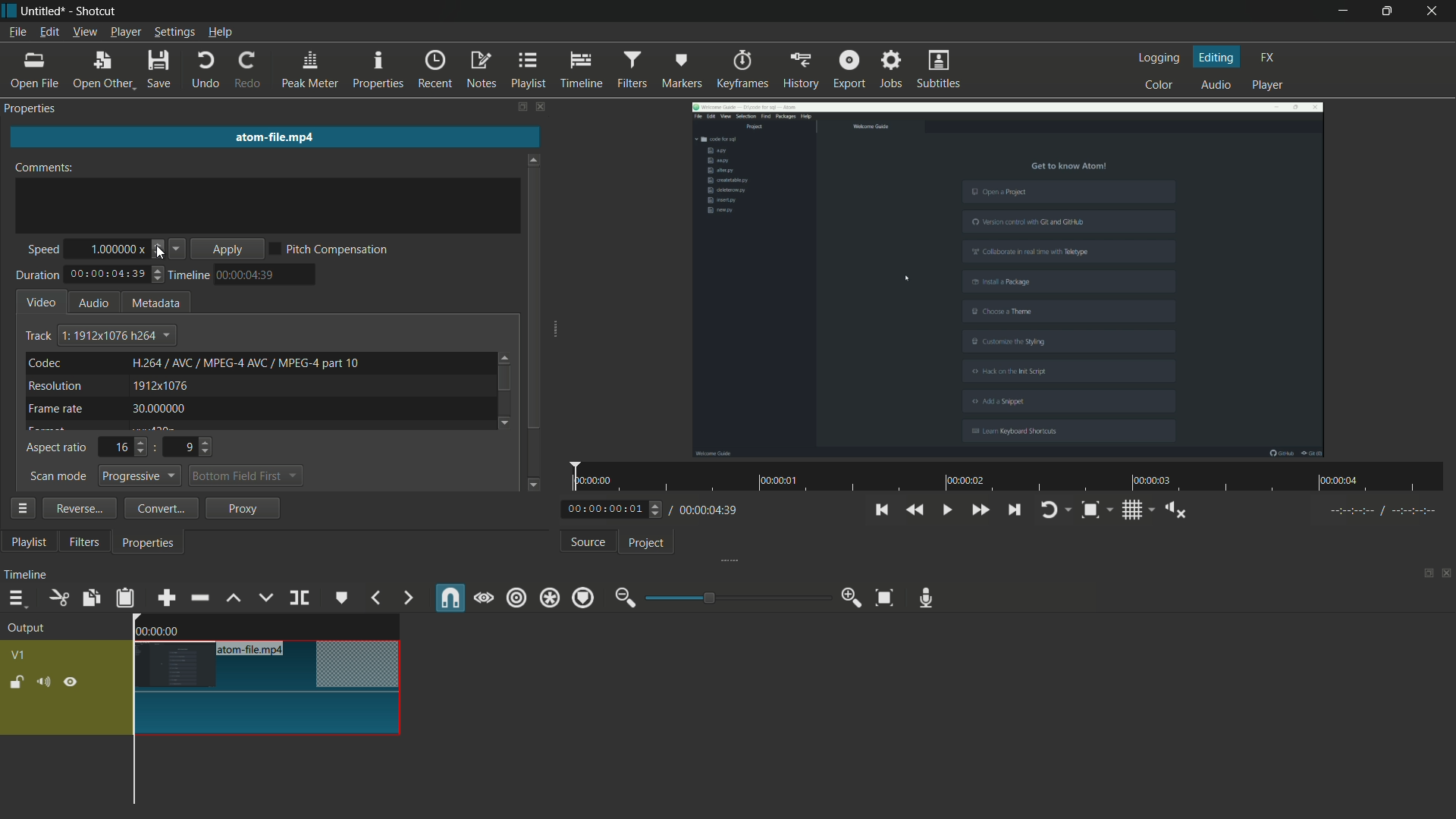  I want to click on subtitles, so click(940, 70).